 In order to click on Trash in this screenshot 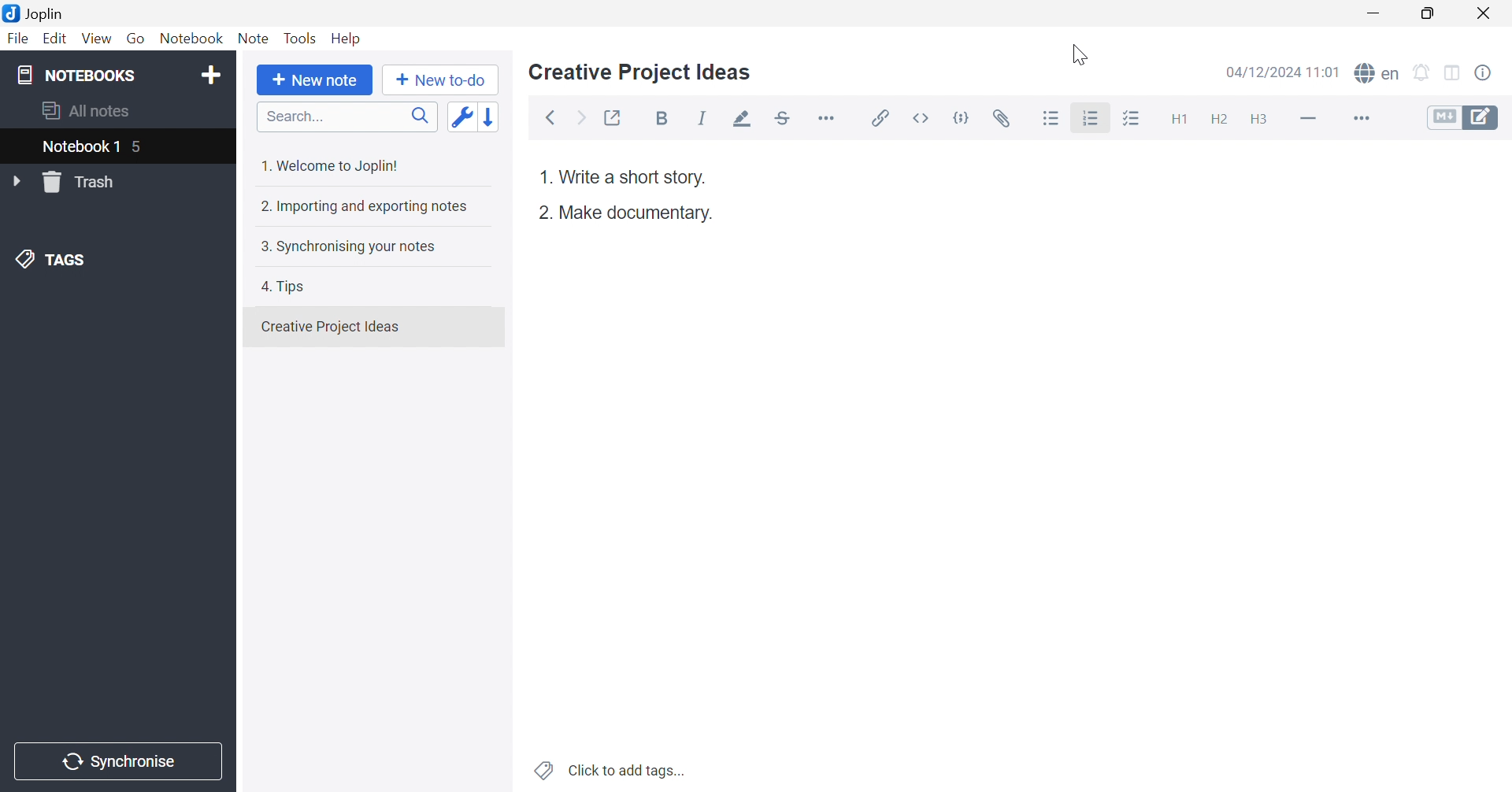, I will do `click(84, 183)`.